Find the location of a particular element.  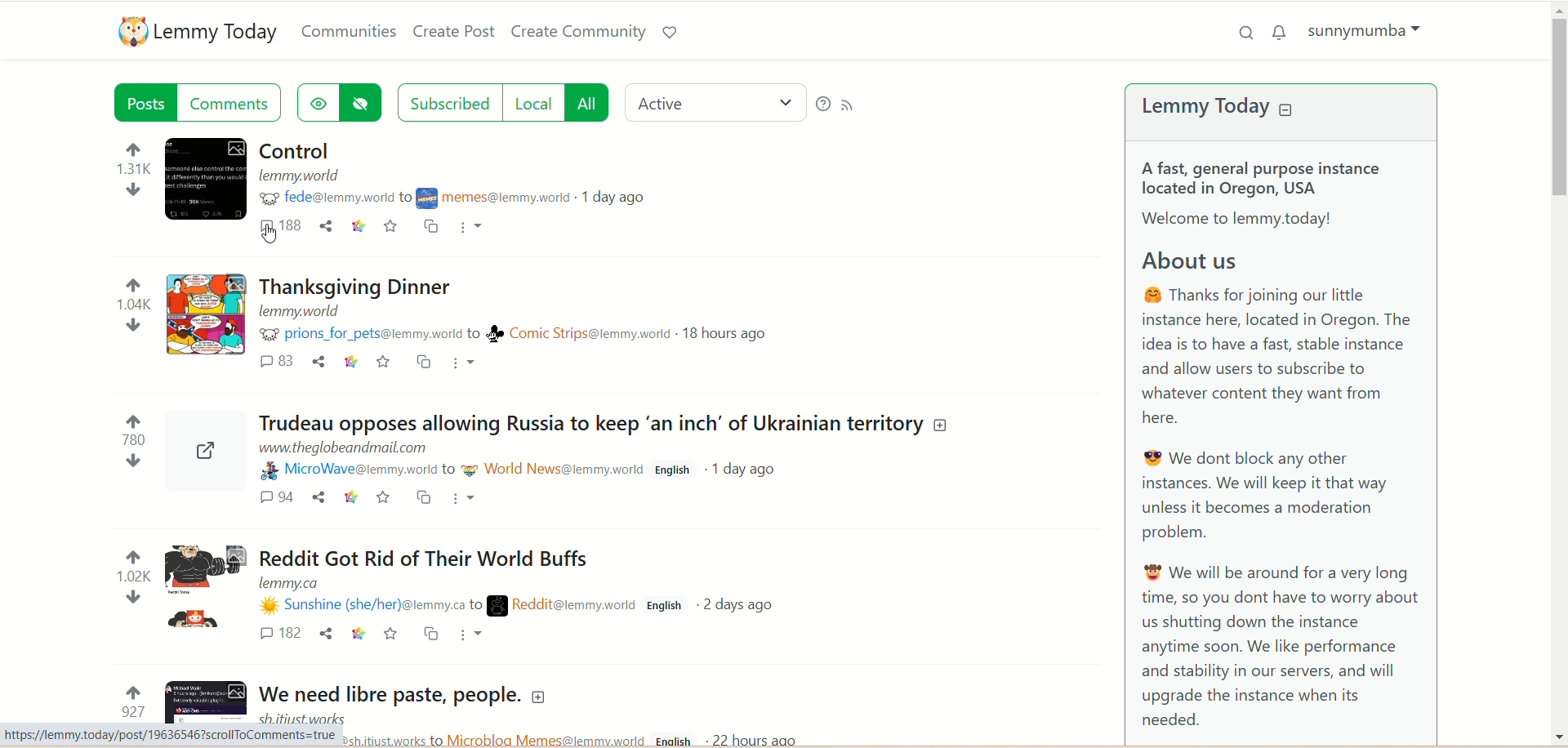

more is located at coordinates (472, 364).